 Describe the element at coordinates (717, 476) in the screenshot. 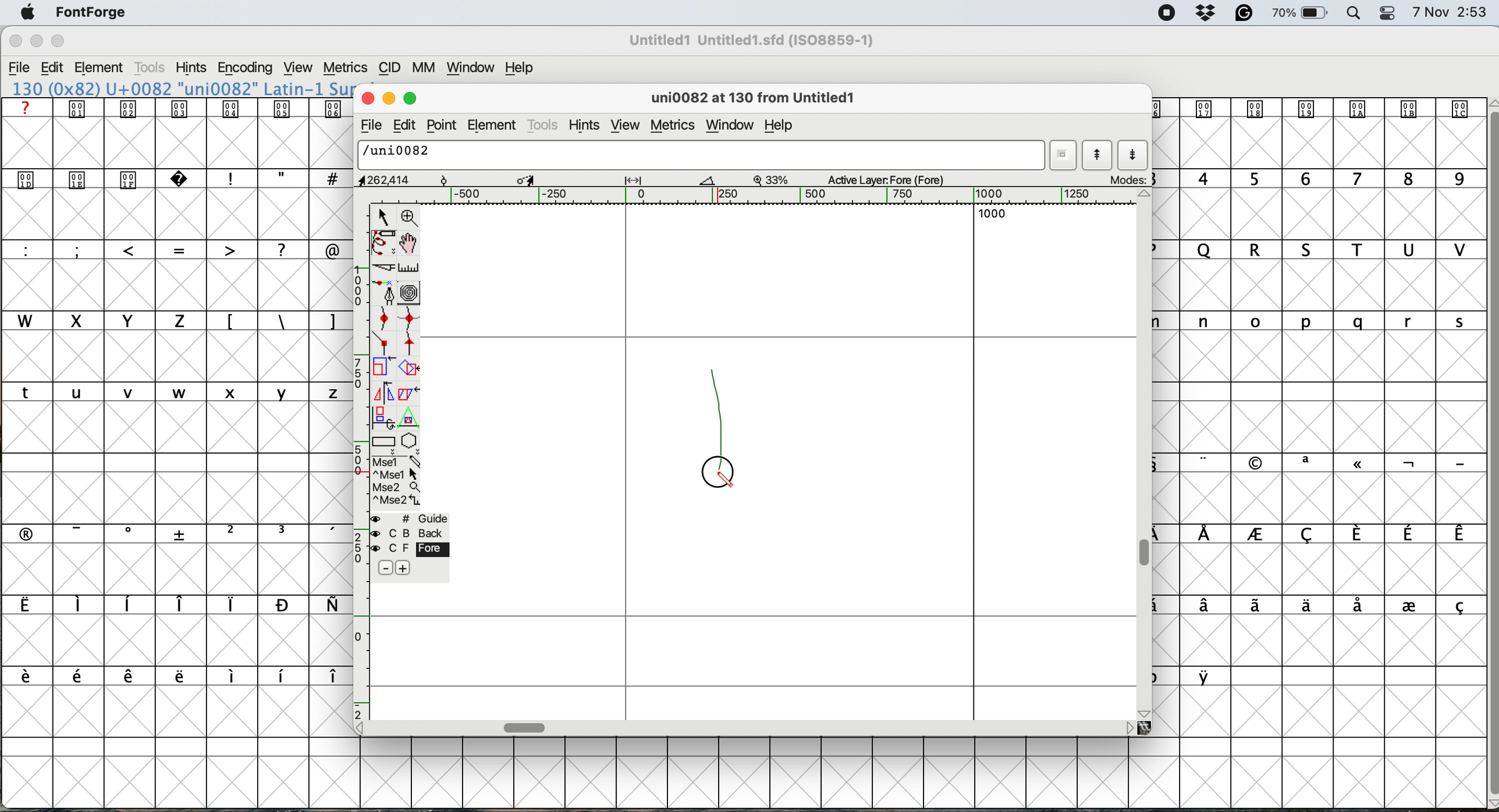

I see `cursor` at that location.